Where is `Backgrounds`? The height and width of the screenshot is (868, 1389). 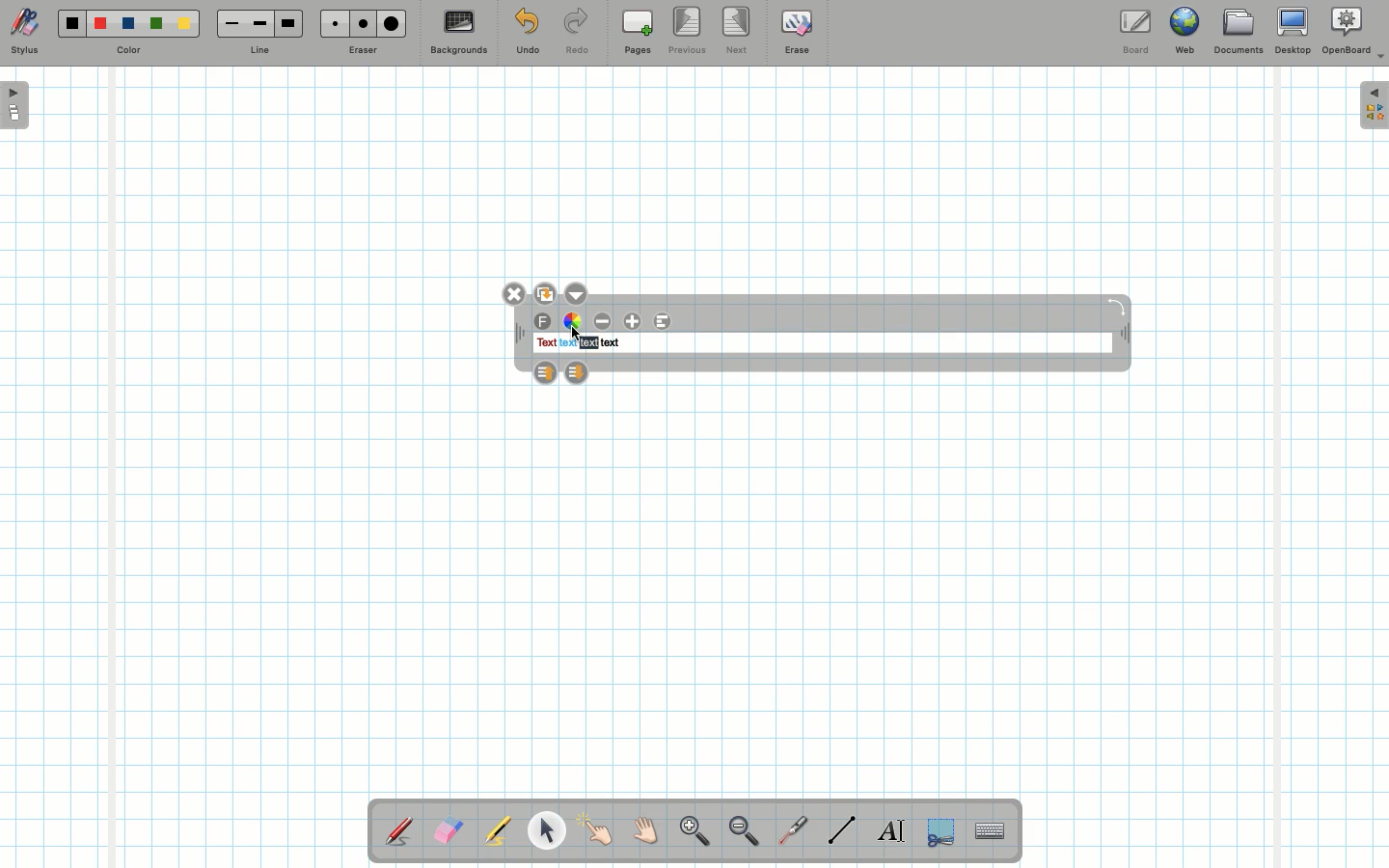
Backgrounds is located at coordinates (458, 33).